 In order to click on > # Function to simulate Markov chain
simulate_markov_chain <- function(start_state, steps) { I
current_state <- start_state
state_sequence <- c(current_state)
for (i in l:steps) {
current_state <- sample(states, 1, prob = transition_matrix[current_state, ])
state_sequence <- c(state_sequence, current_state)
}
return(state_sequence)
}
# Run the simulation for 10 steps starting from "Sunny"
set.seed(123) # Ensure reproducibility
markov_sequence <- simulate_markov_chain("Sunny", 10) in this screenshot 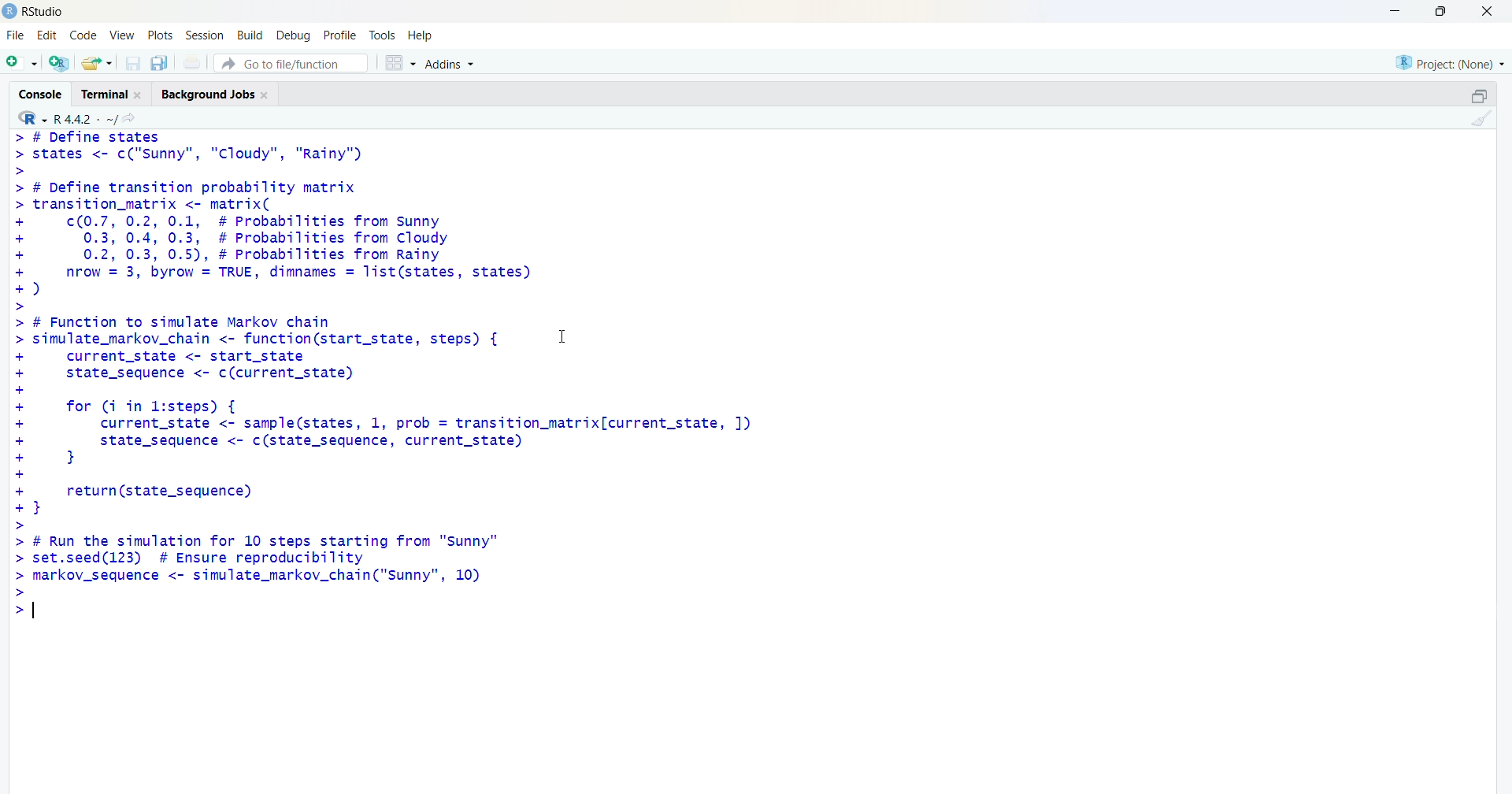, I will do `click(424, 468)`.